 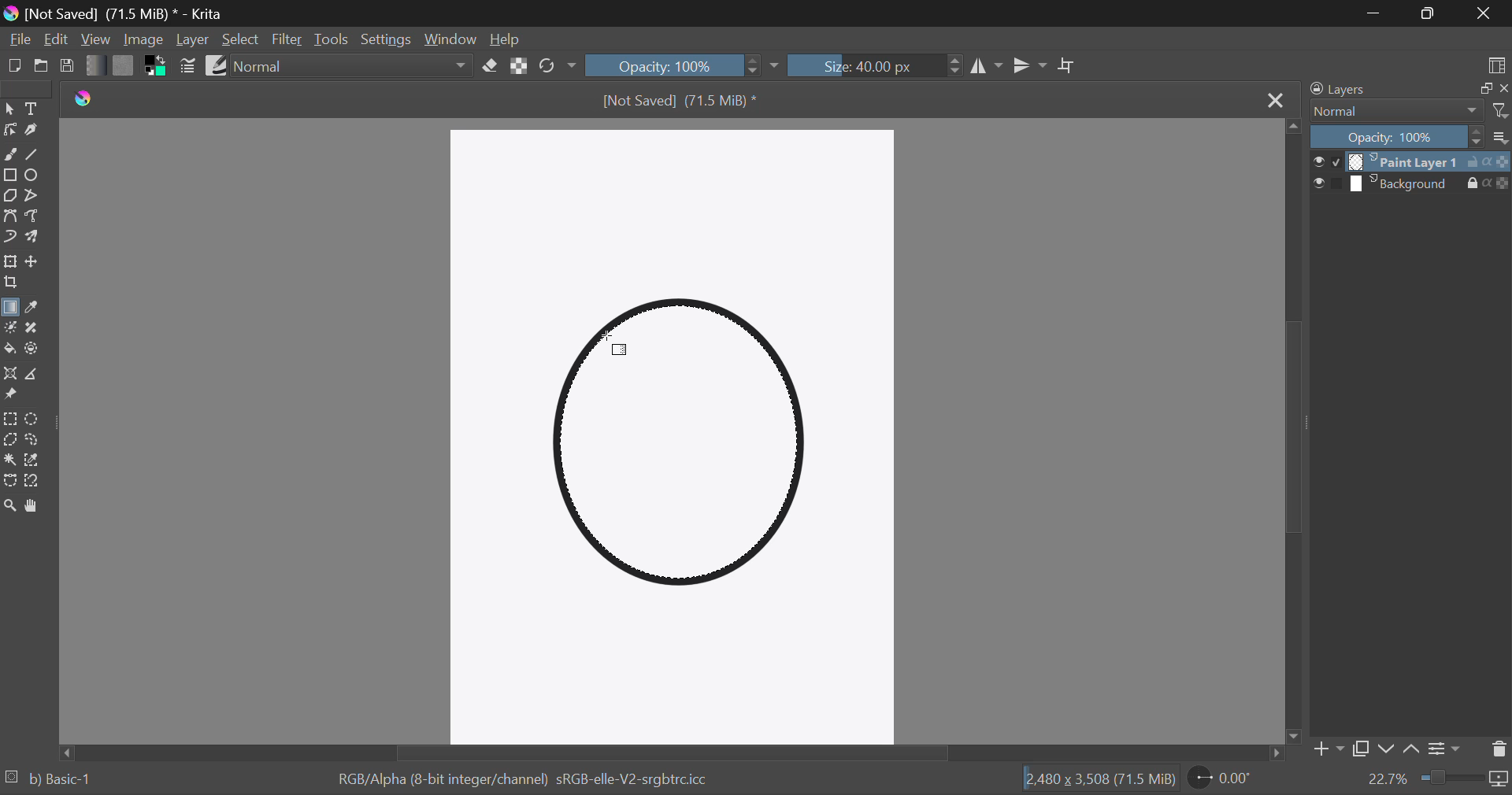 I want to click on Restore Down, so click(x=1374, y=14).